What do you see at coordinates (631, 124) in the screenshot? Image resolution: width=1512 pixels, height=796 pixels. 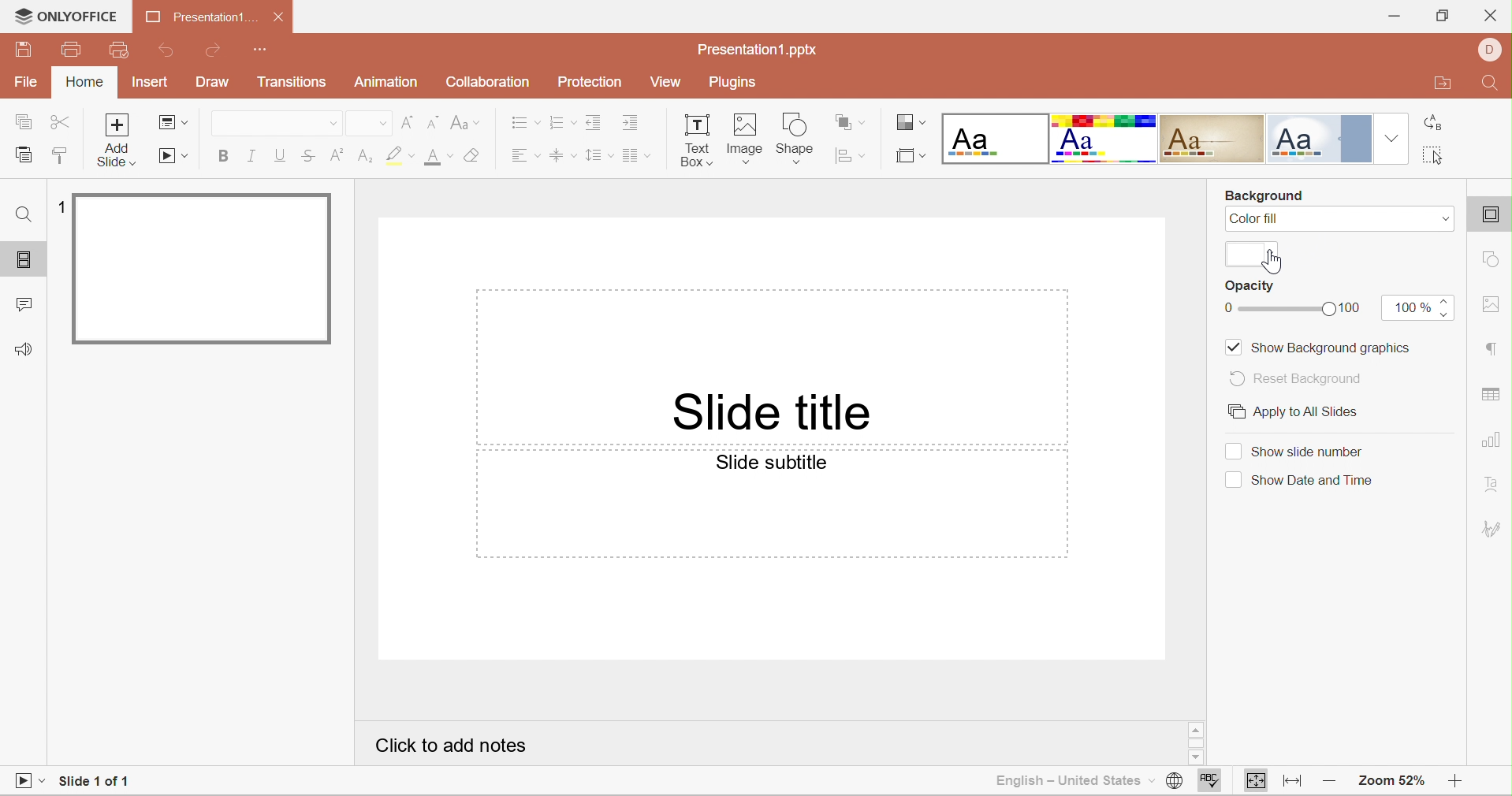 I see `Increase Indent` at bounding box center [631, 124].